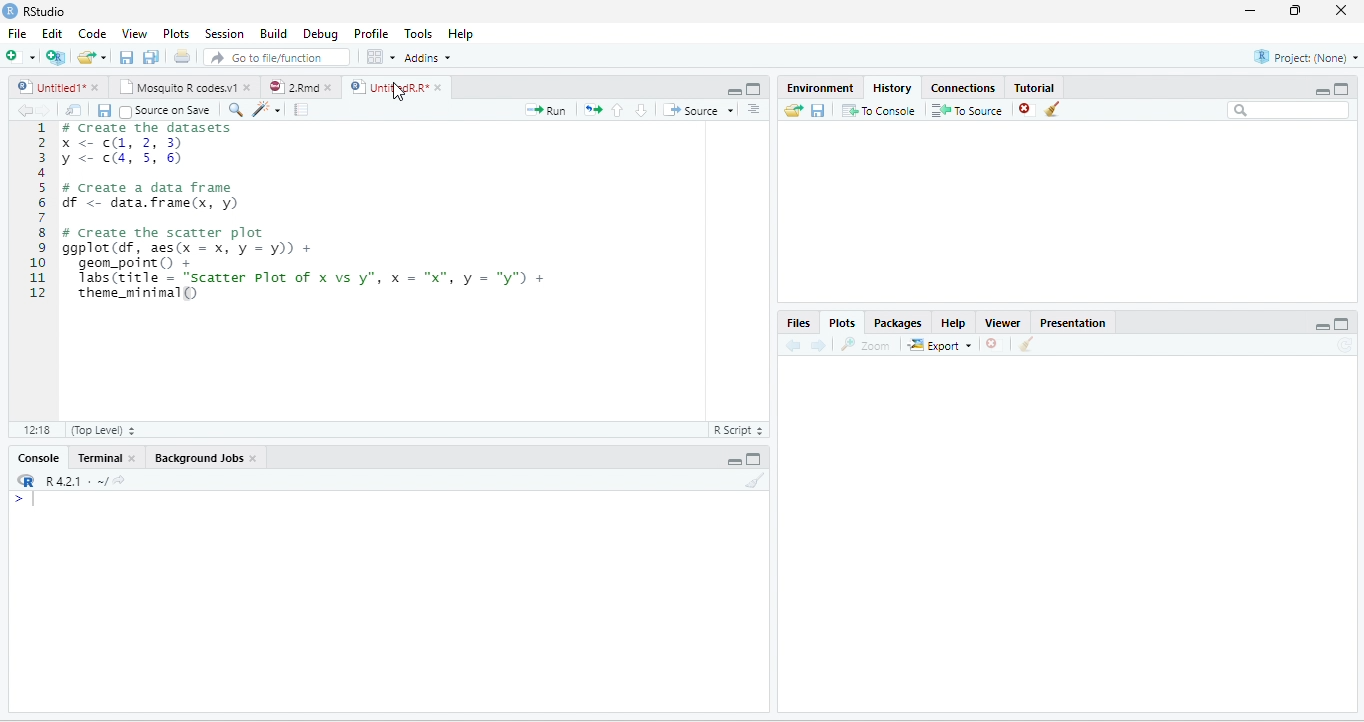 The image size is (1364, 722). I want to click on File, so click(18, 33).